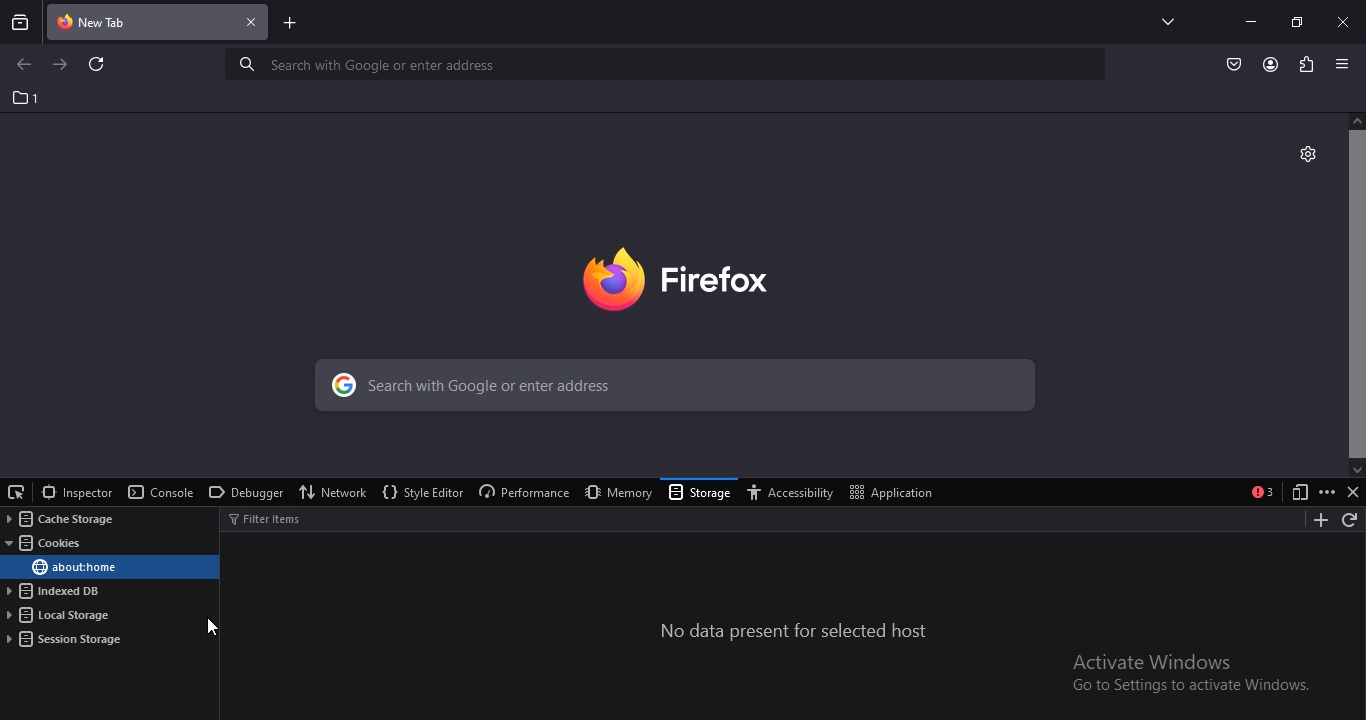 The width and height of the screenshot is (1366, 720). I want to click on refresh items, so click(1351, 521).